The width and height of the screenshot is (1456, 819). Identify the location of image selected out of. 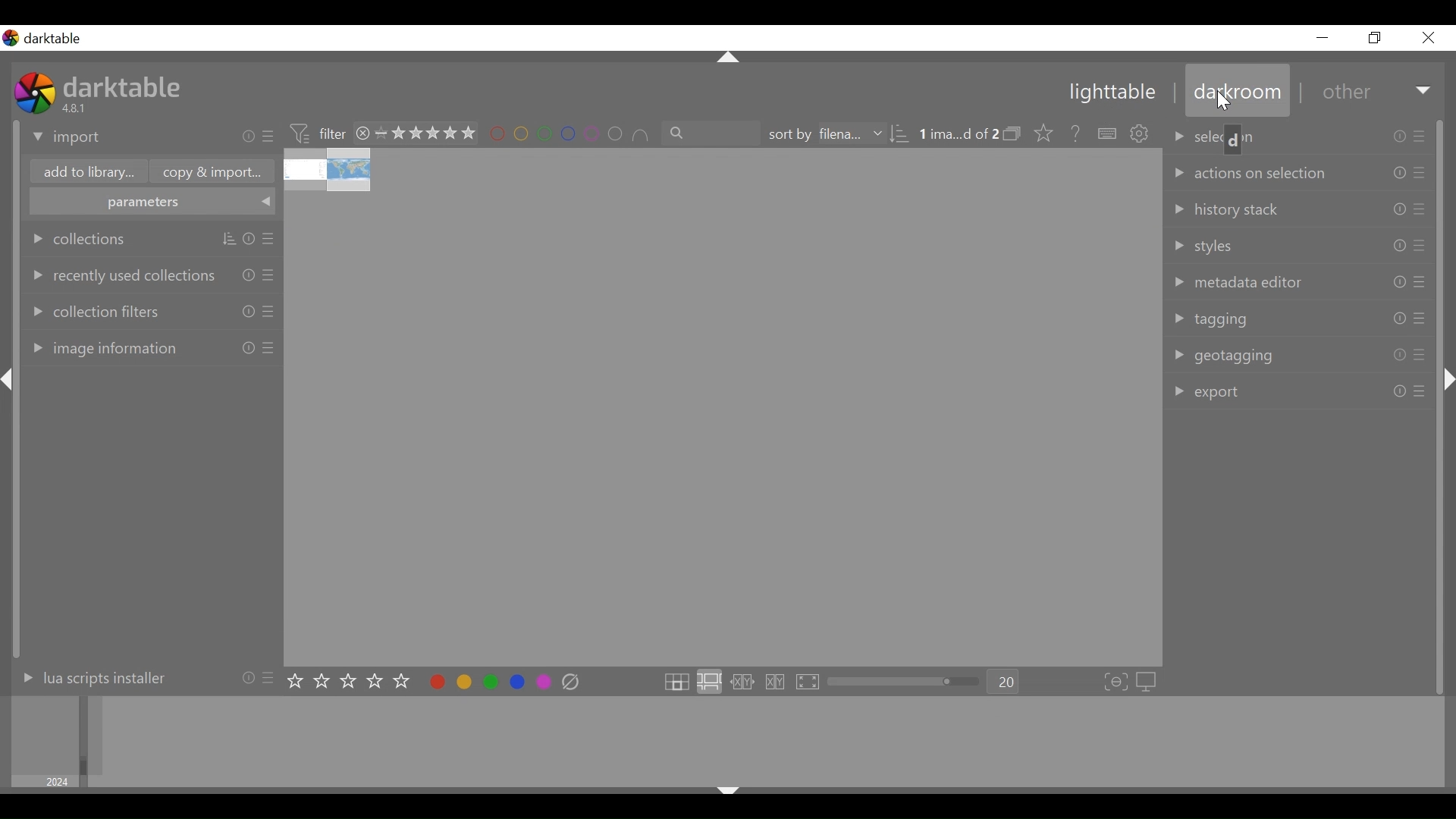
(959, 135).